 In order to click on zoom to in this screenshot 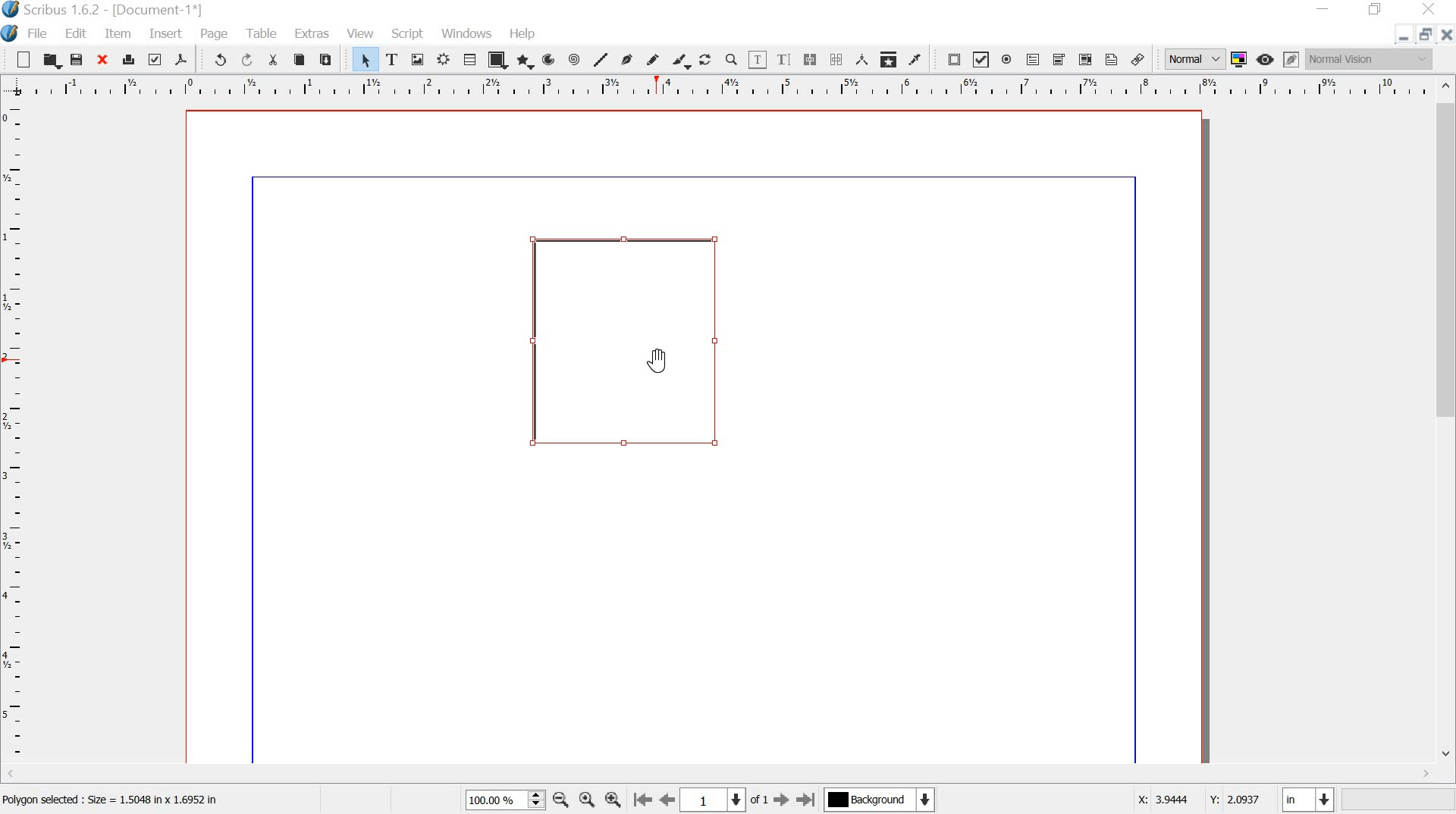, I will do `click(586, 800)`.